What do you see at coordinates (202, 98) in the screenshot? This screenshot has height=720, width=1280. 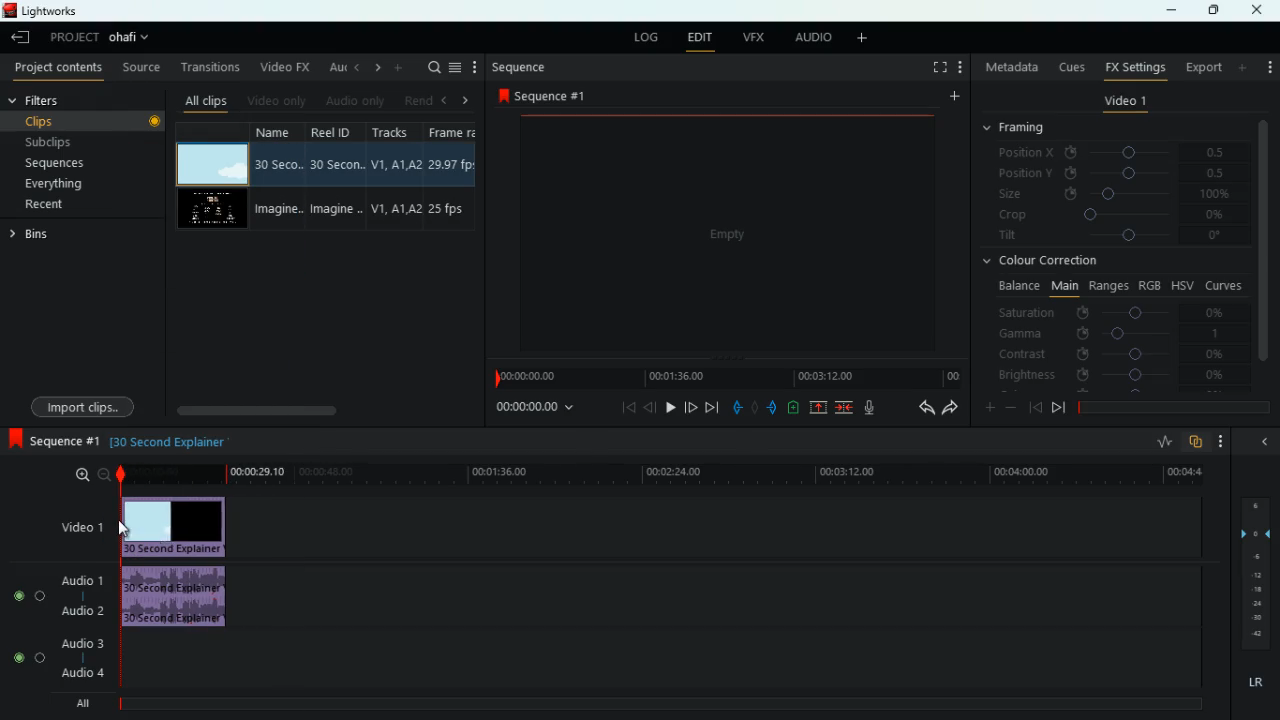 I see `all clips` at bounding box center [202, 98].